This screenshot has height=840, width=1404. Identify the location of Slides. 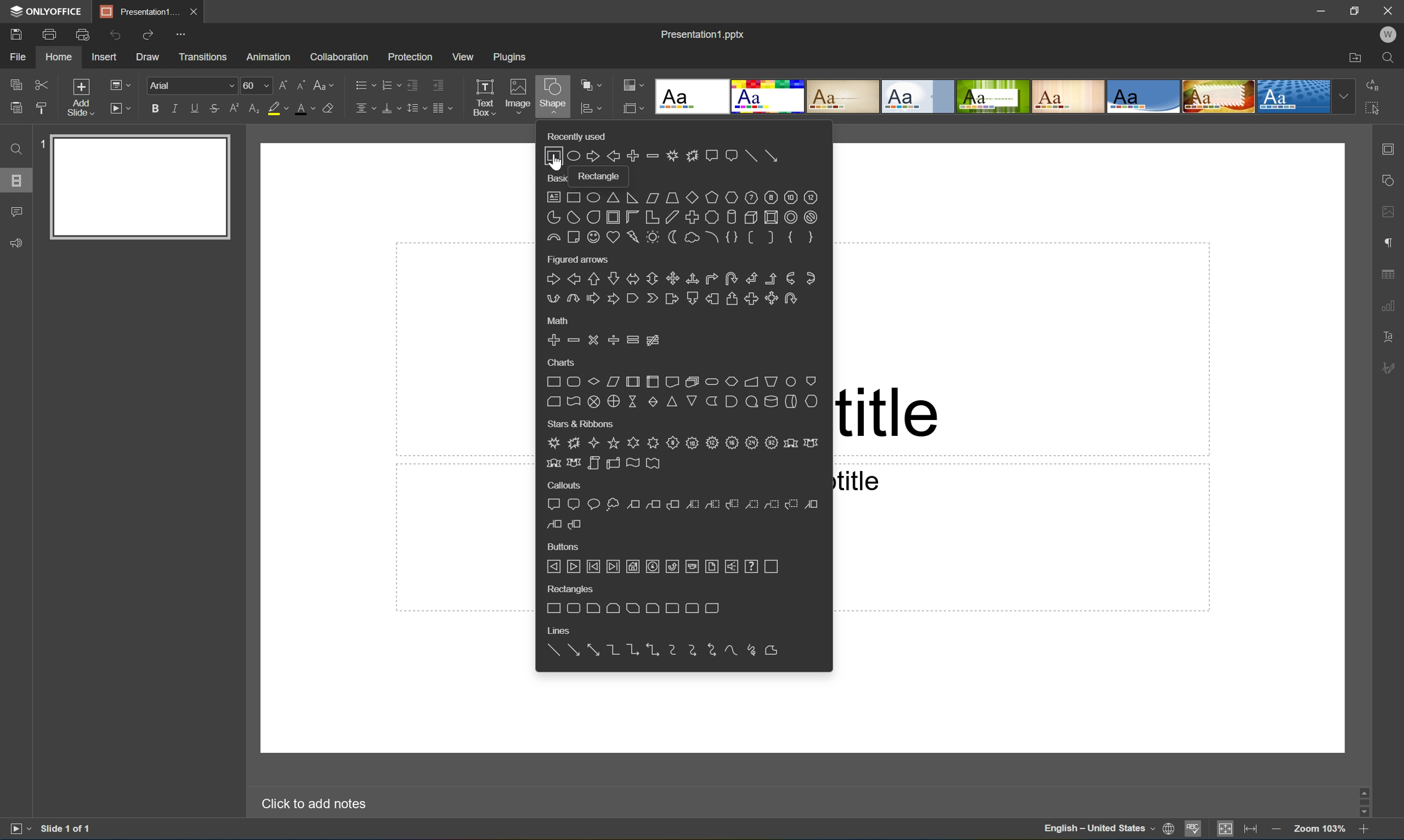
(16, 179).